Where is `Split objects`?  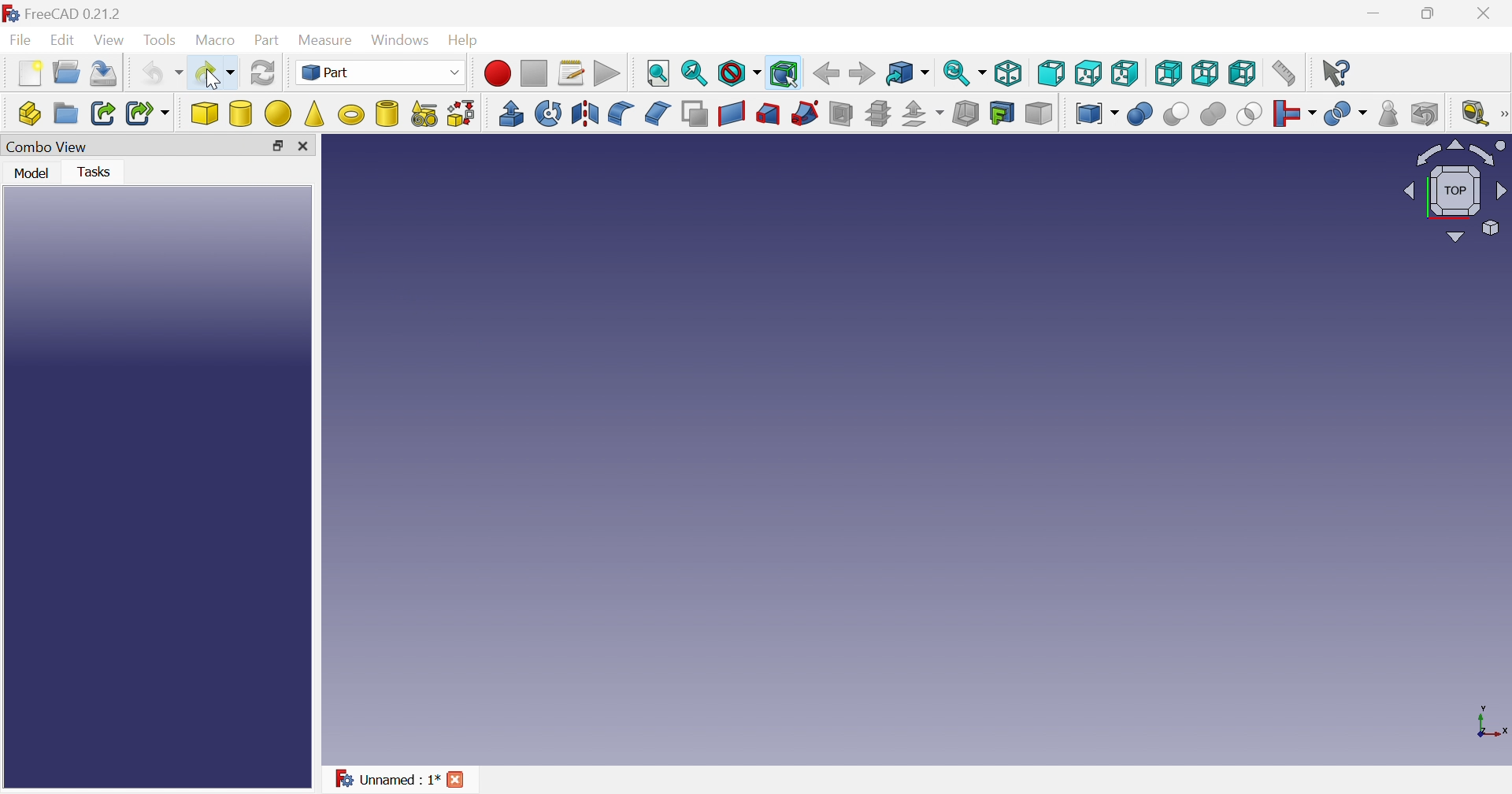
Split objects is located at coordinates (1345, 114).